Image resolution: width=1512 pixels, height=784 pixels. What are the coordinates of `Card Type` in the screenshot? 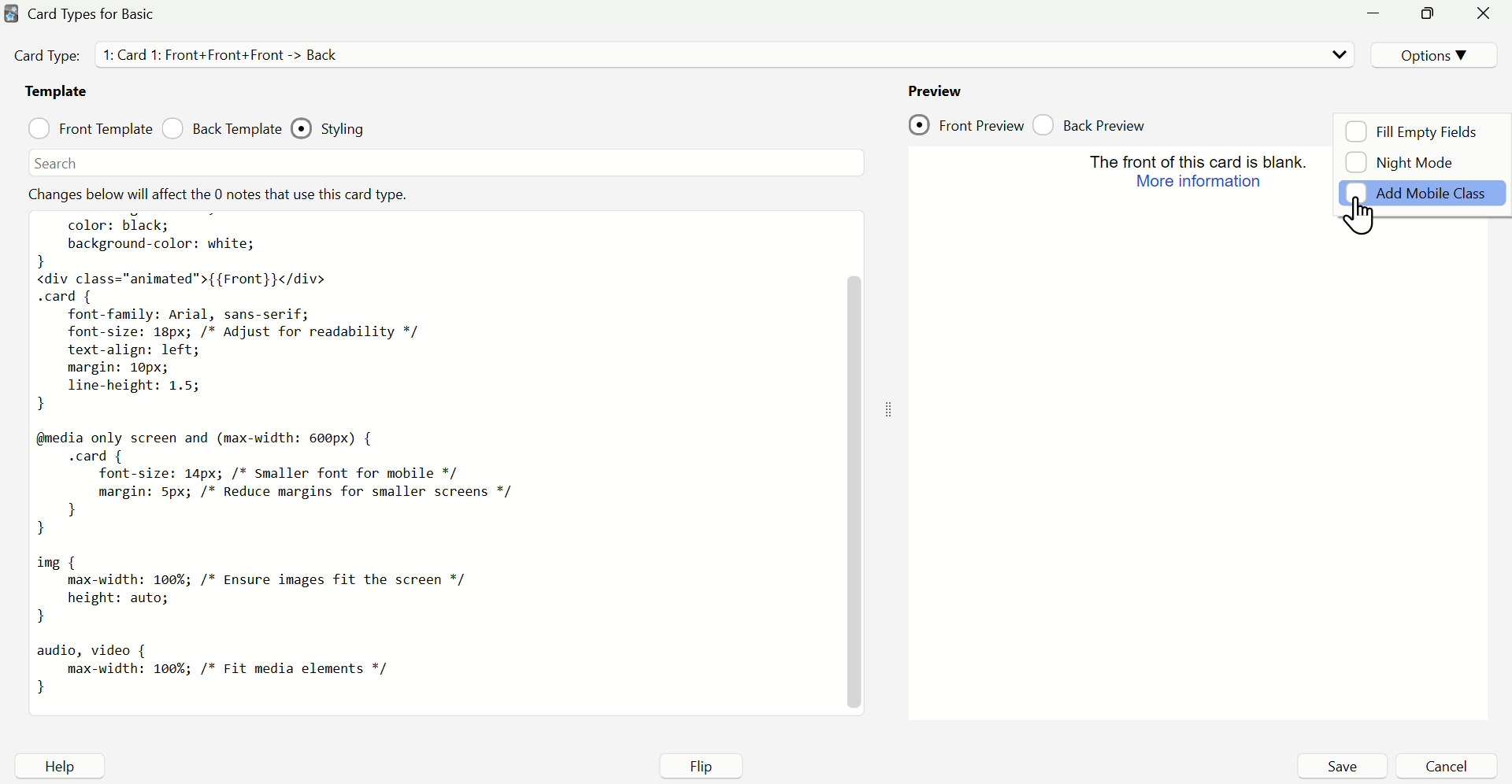 It's located at (203, 56).